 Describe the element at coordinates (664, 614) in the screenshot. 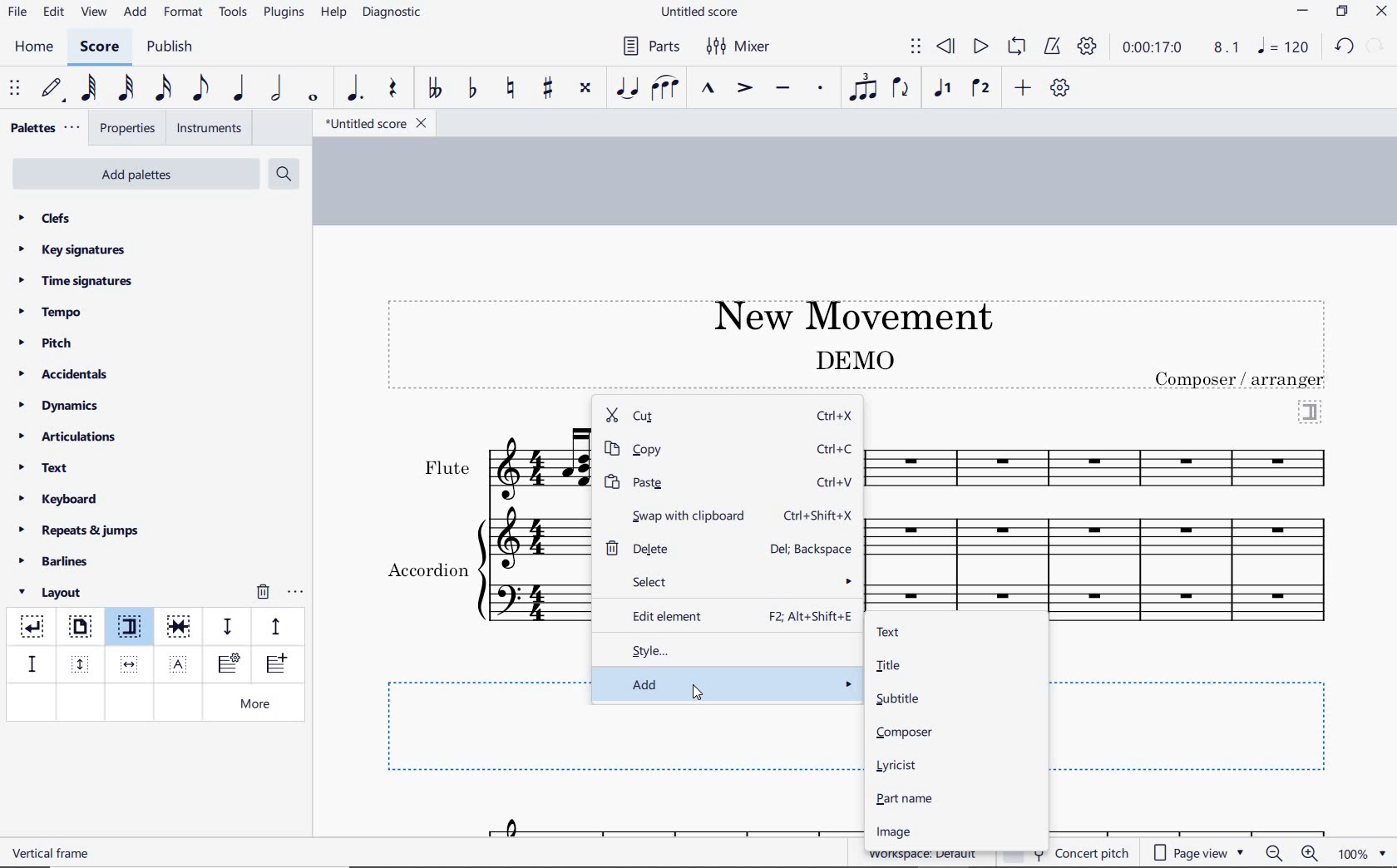

I see `edit element` at that location.